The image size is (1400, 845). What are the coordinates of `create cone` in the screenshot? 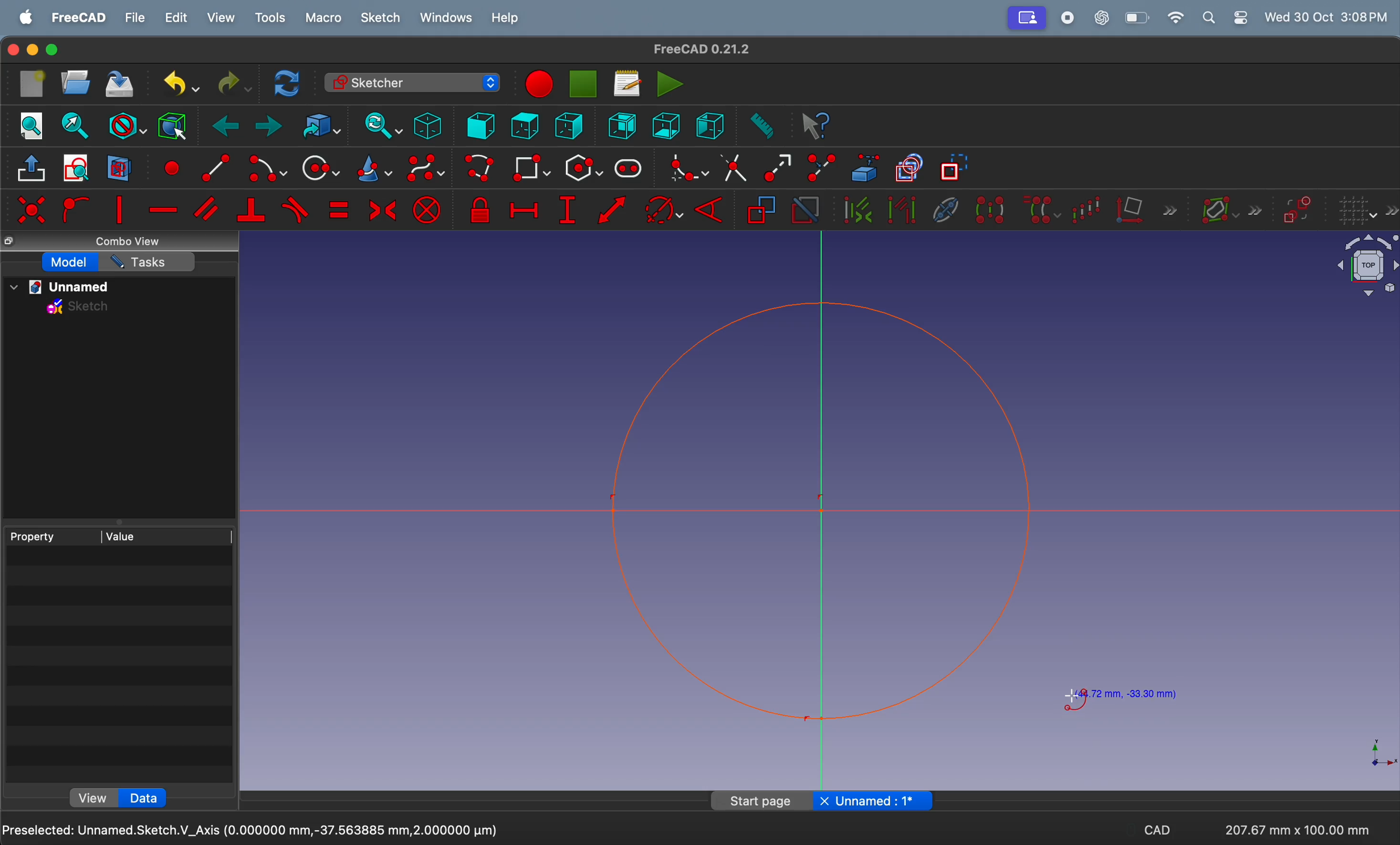 It's located at (372, 170).